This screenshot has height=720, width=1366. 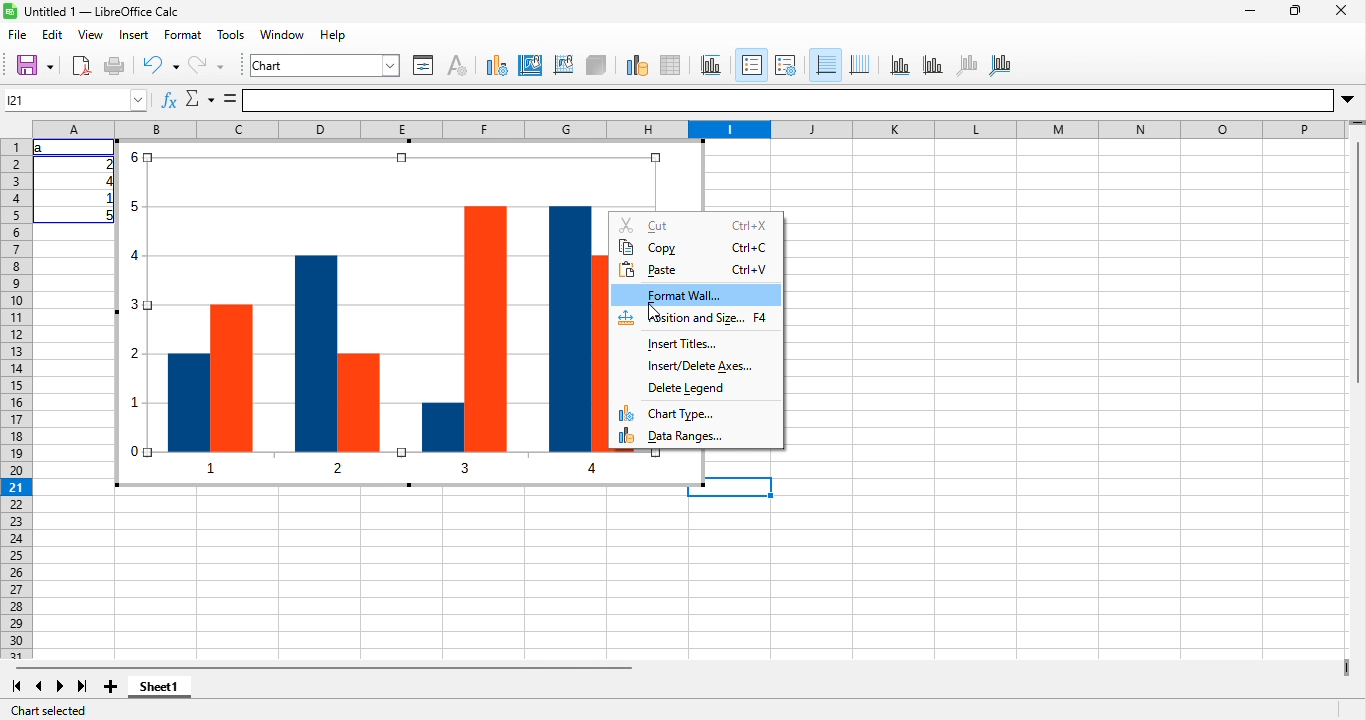 What do you see at coordinates (671, 67) in the screenshot?
I see `data table` at bounding box center [671, 67].